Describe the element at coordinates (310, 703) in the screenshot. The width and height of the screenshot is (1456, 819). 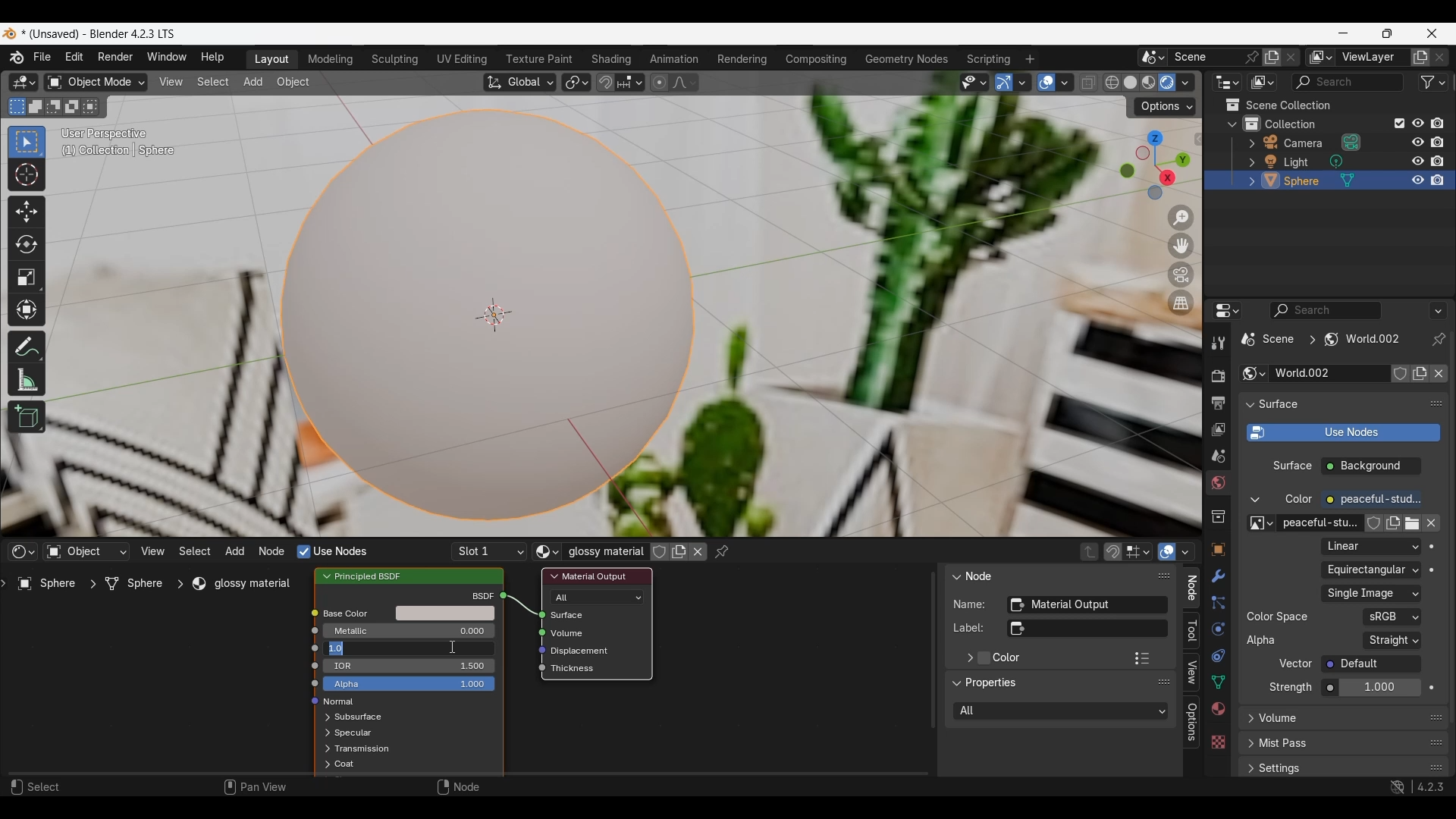
I see `icon` at that location.